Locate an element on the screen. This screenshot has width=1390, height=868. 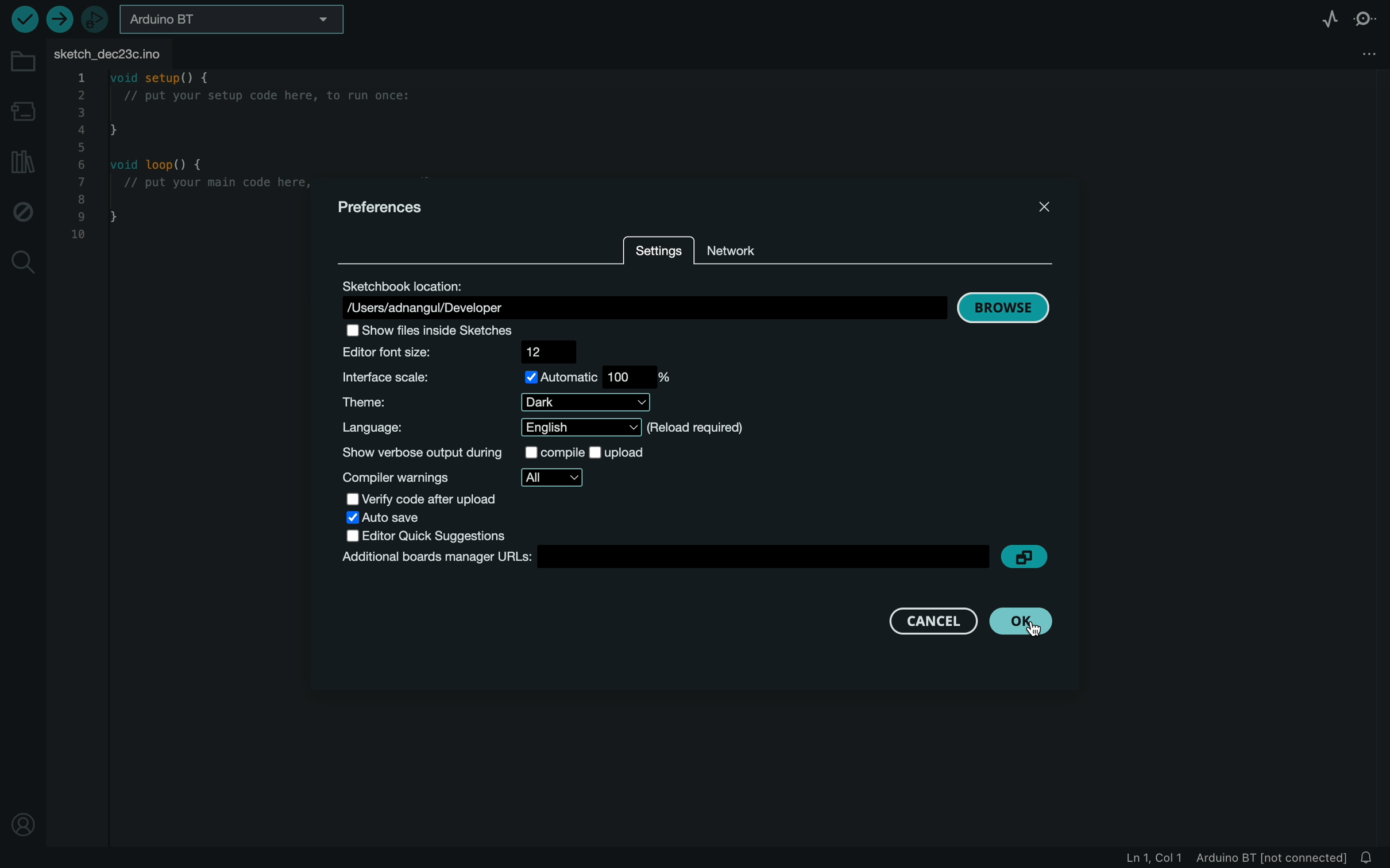
copy is located at coordinates (1000, 555).